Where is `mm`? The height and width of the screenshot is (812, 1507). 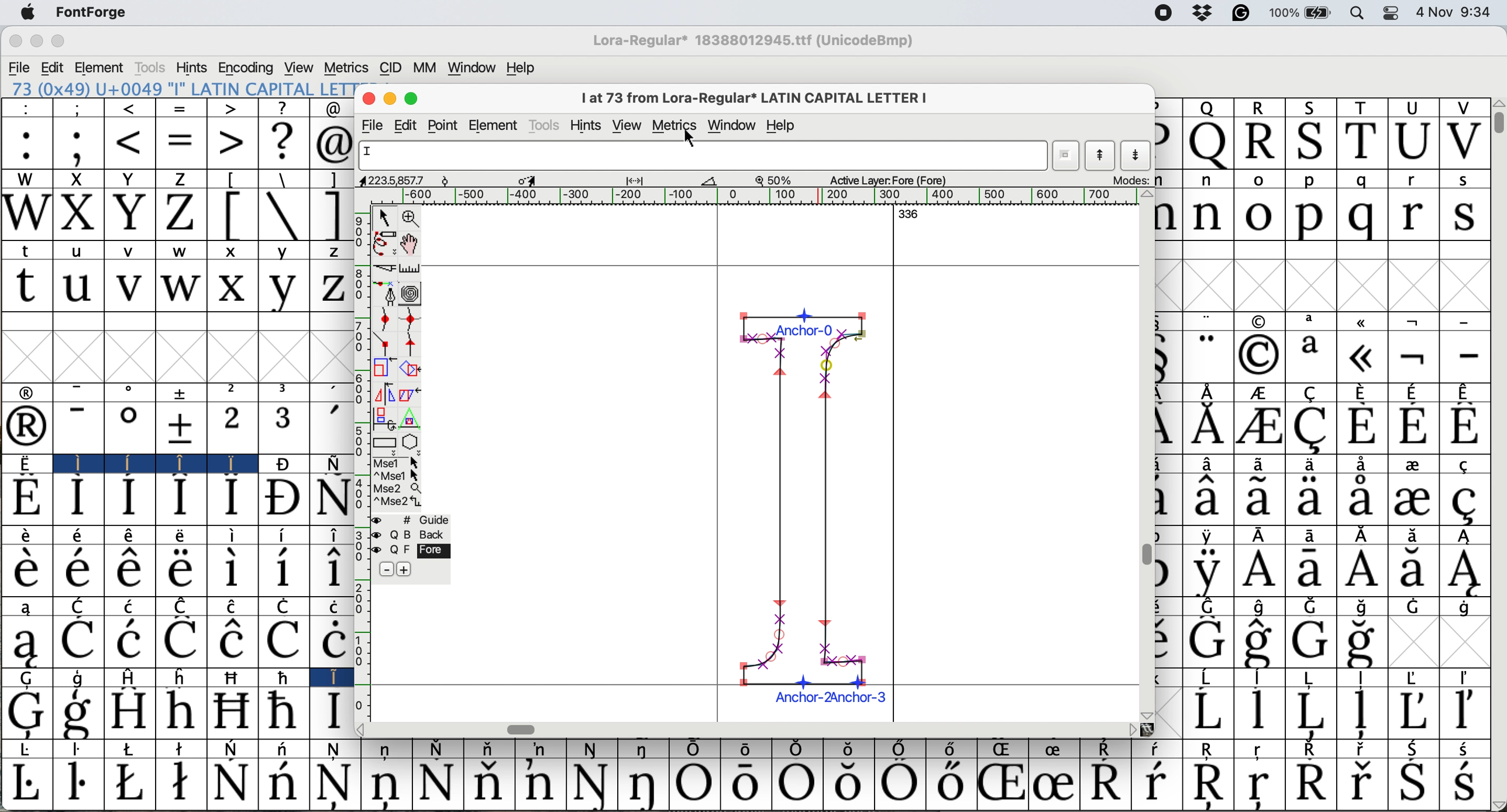 mm is located at coordinates (423, 67).